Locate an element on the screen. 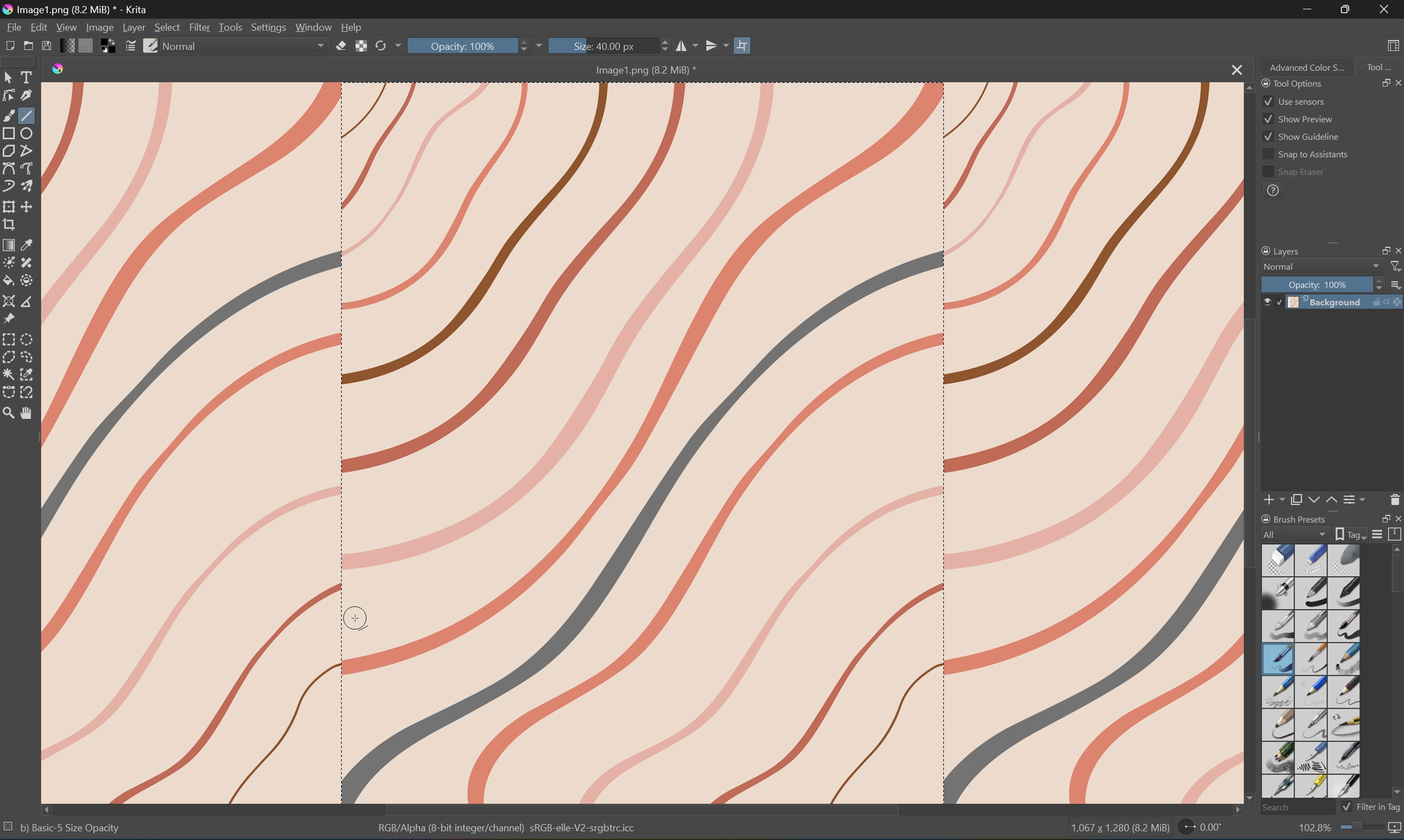  Fill gradients is located at coordinates (70, 46).